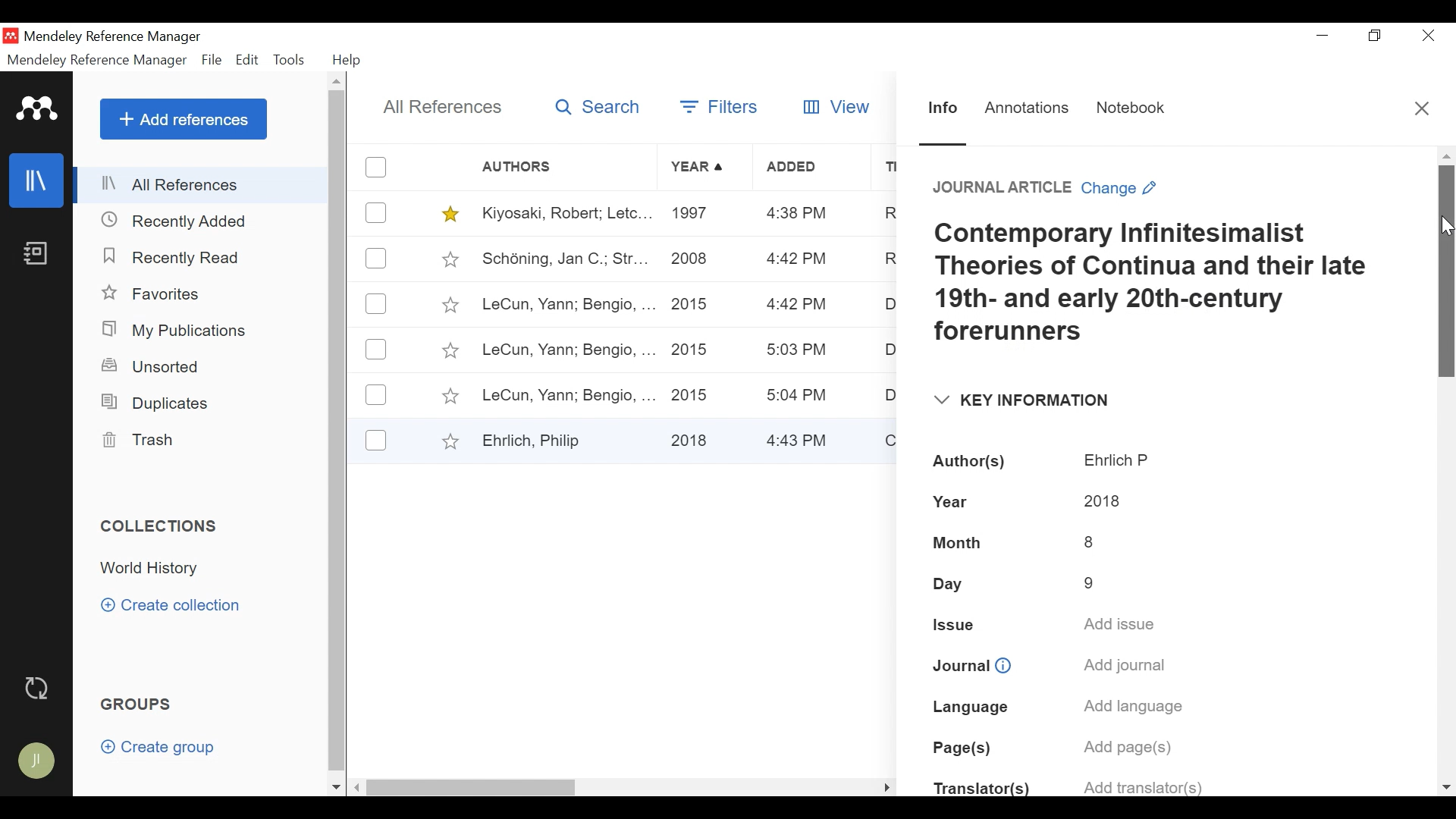  Describe the element at coordinates (1018, 401) in the screenshot. I see `Key Information` at that location.